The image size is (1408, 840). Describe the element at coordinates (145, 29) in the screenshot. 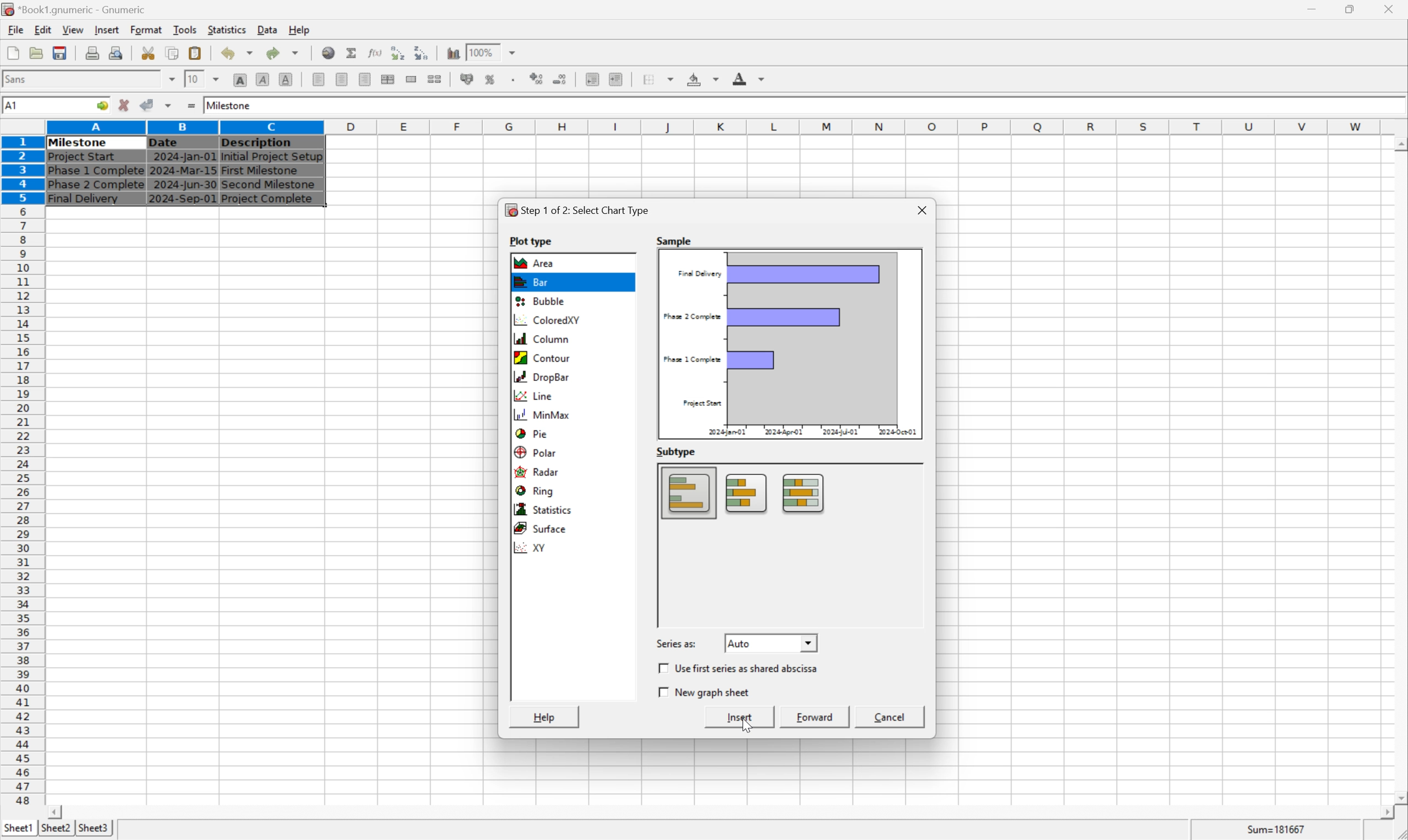

I see `format` at that location.